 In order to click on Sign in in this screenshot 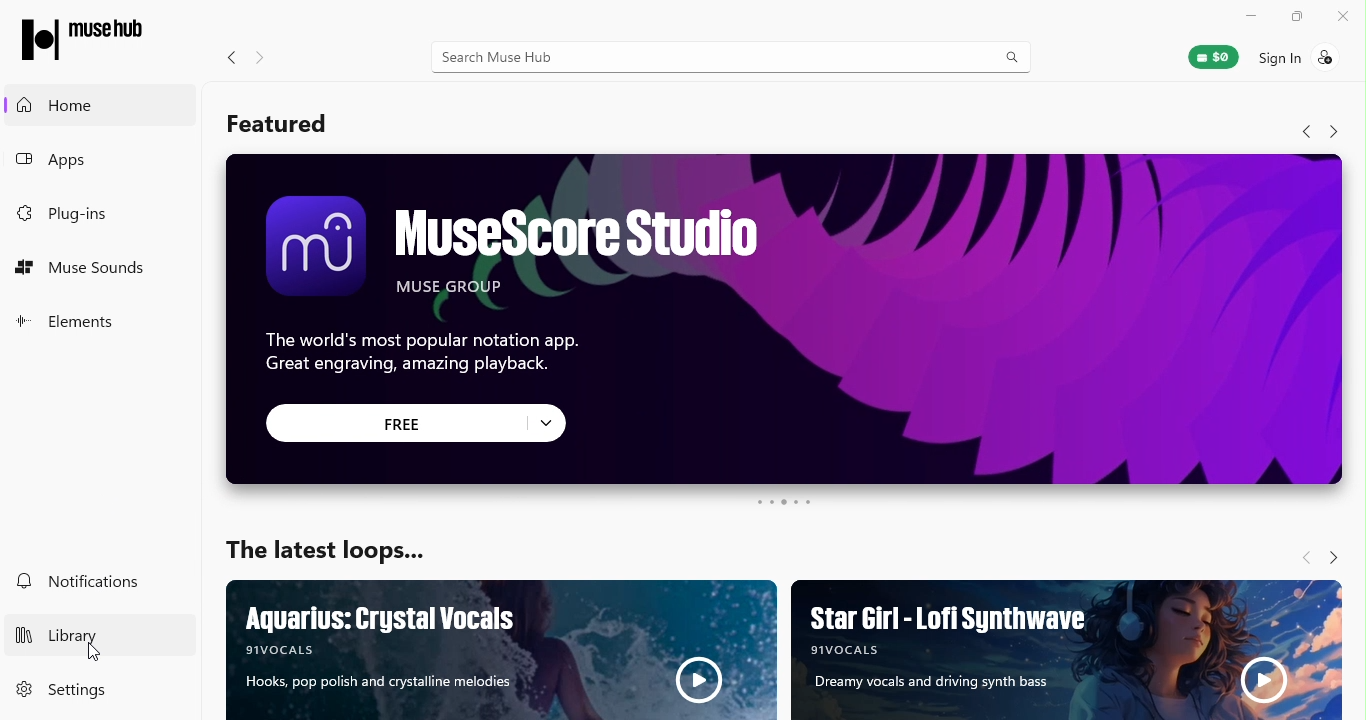, I will do `click(1294, 59)`.